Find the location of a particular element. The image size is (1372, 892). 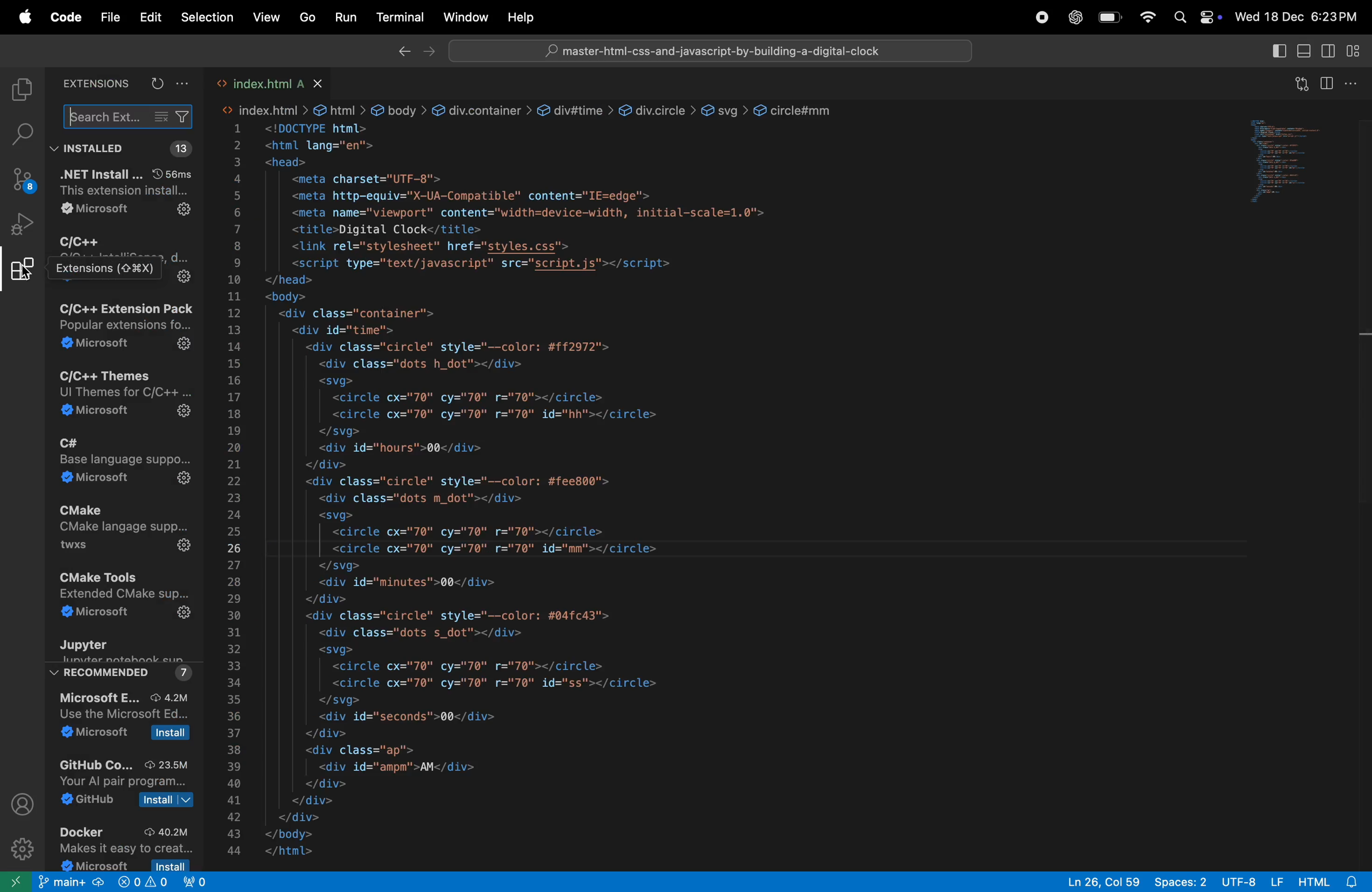

no problems is located at coordinates (141, 883).